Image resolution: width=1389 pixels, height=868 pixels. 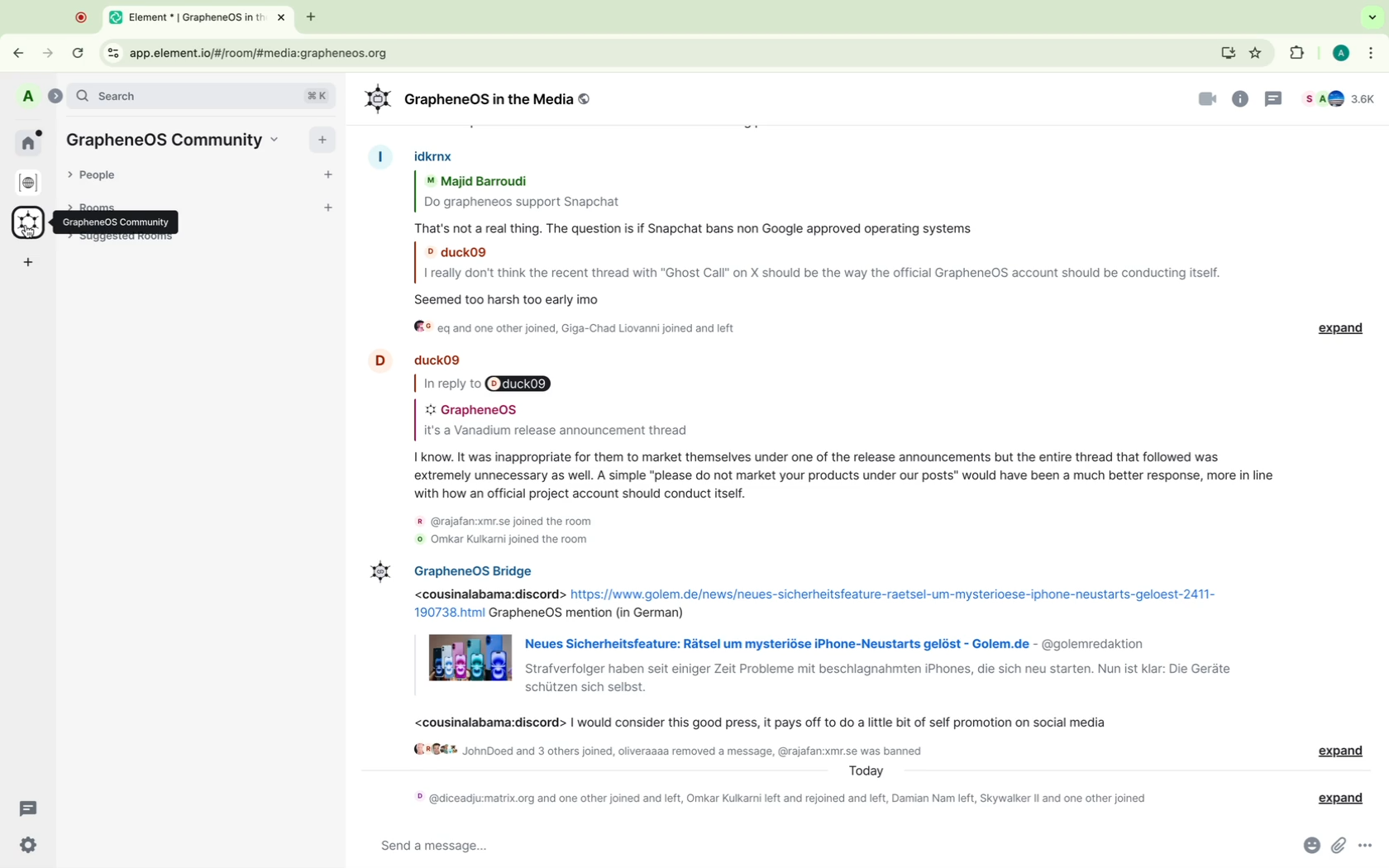 What do you see at coordinates (776, 643) in the screenshot?
I see `neues sicherheitsfeature: ratsel um mysteriose iphone-Neustrats gelost - golem.de` at bounding box center [776, 643].